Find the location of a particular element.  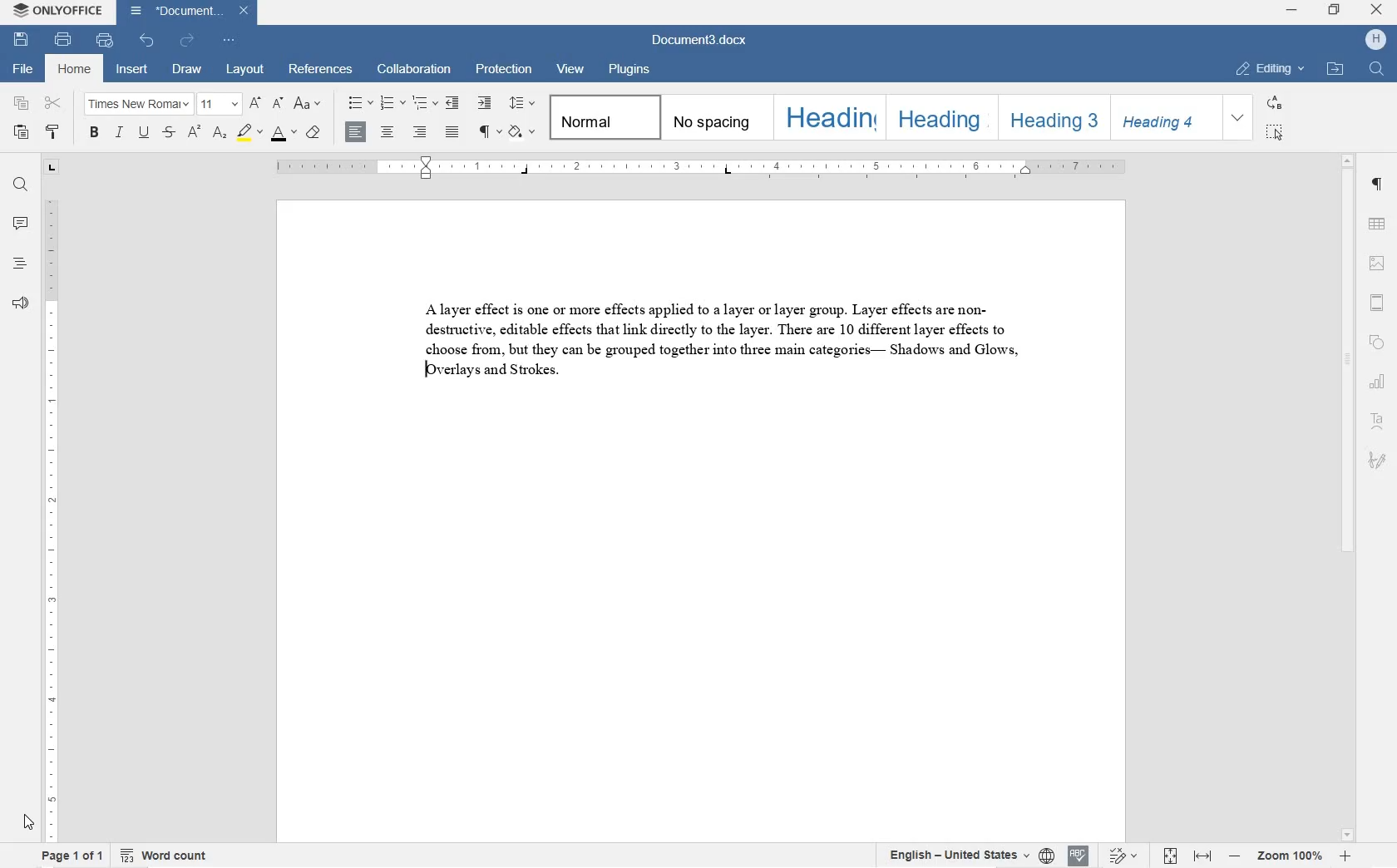

SUPERSCRIPT is located at coordinates (194, 135).